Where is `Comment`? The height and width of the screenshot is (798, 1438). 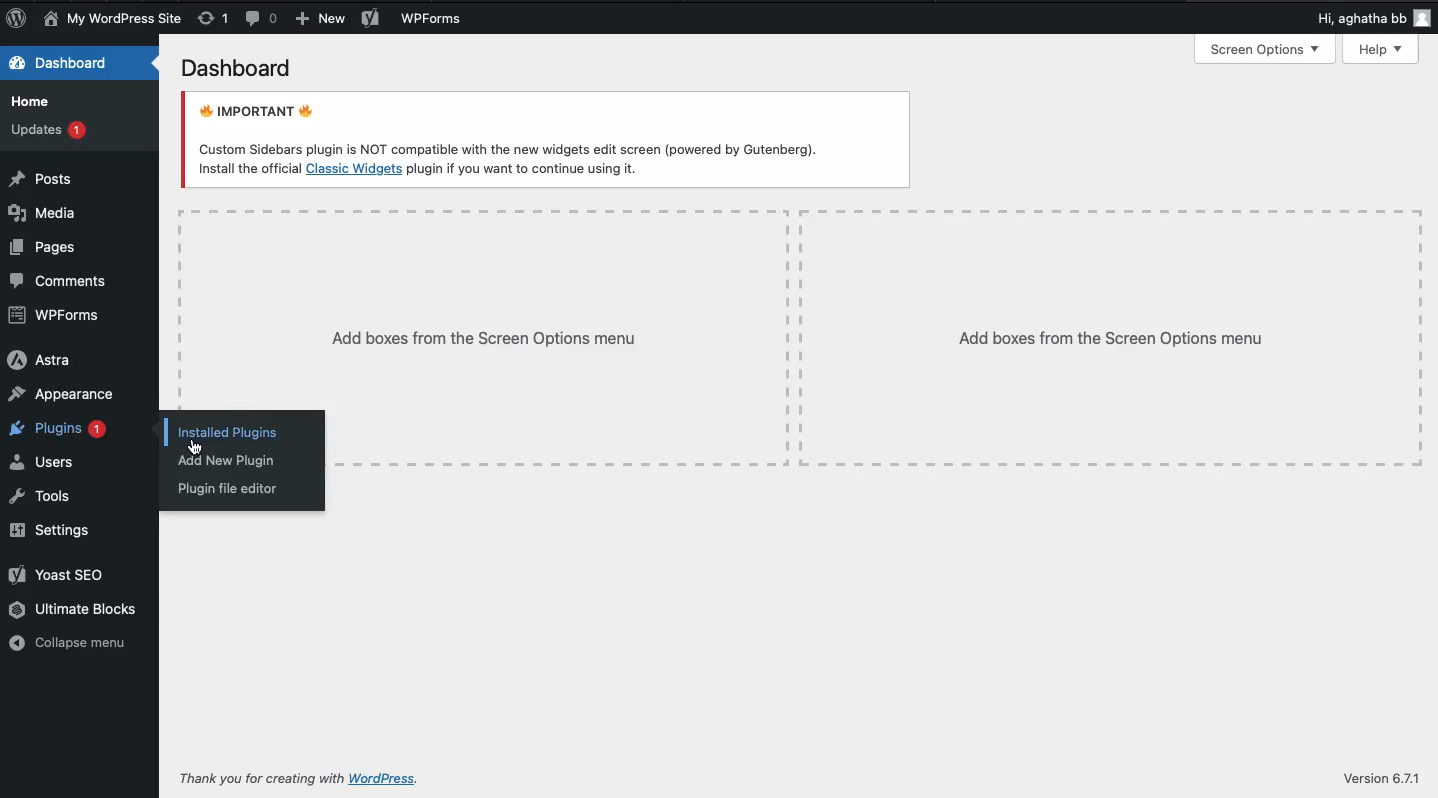
Comment is located at coordinates (64, 282).